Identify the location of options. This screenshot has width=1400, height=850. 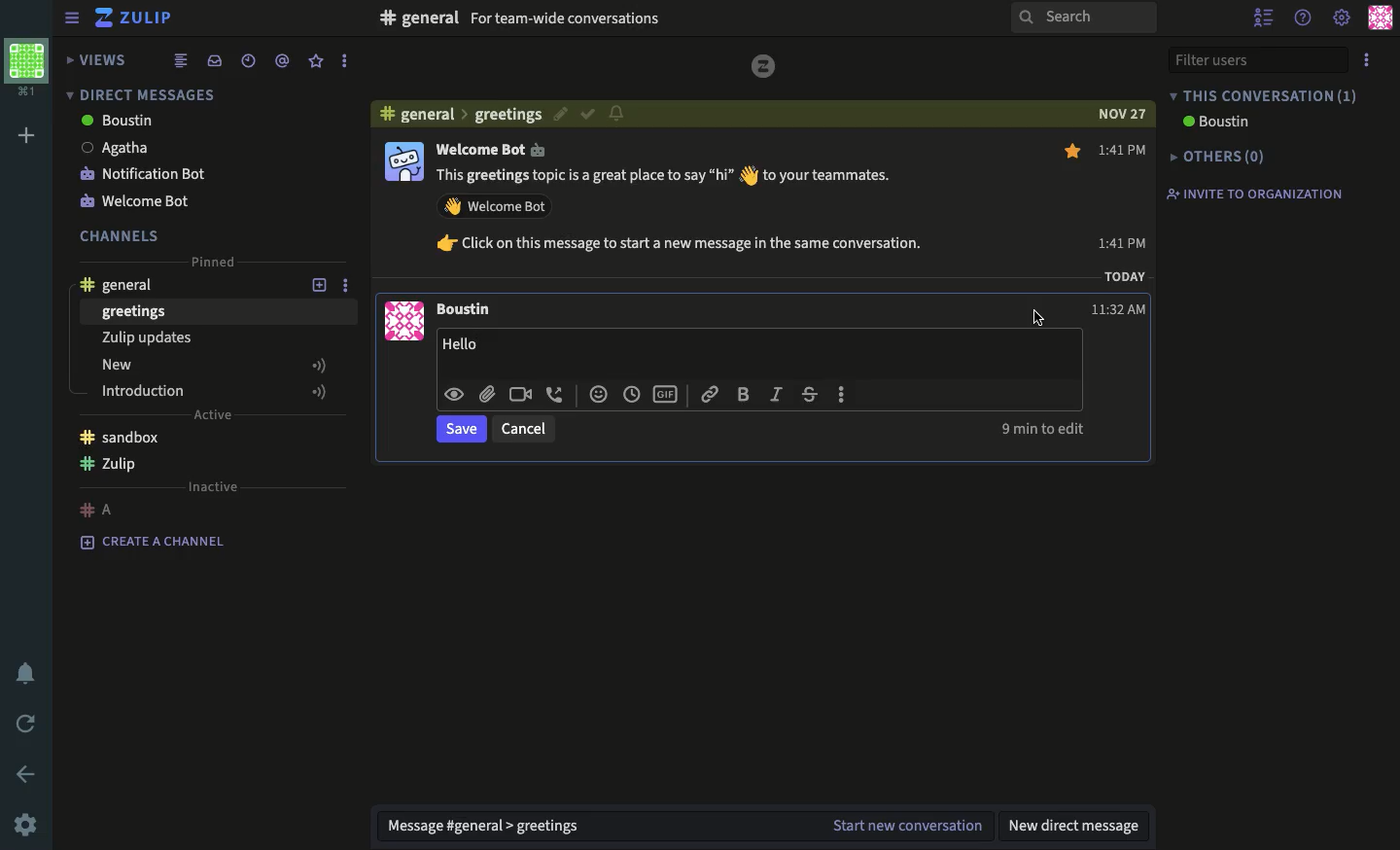
(352, 284).